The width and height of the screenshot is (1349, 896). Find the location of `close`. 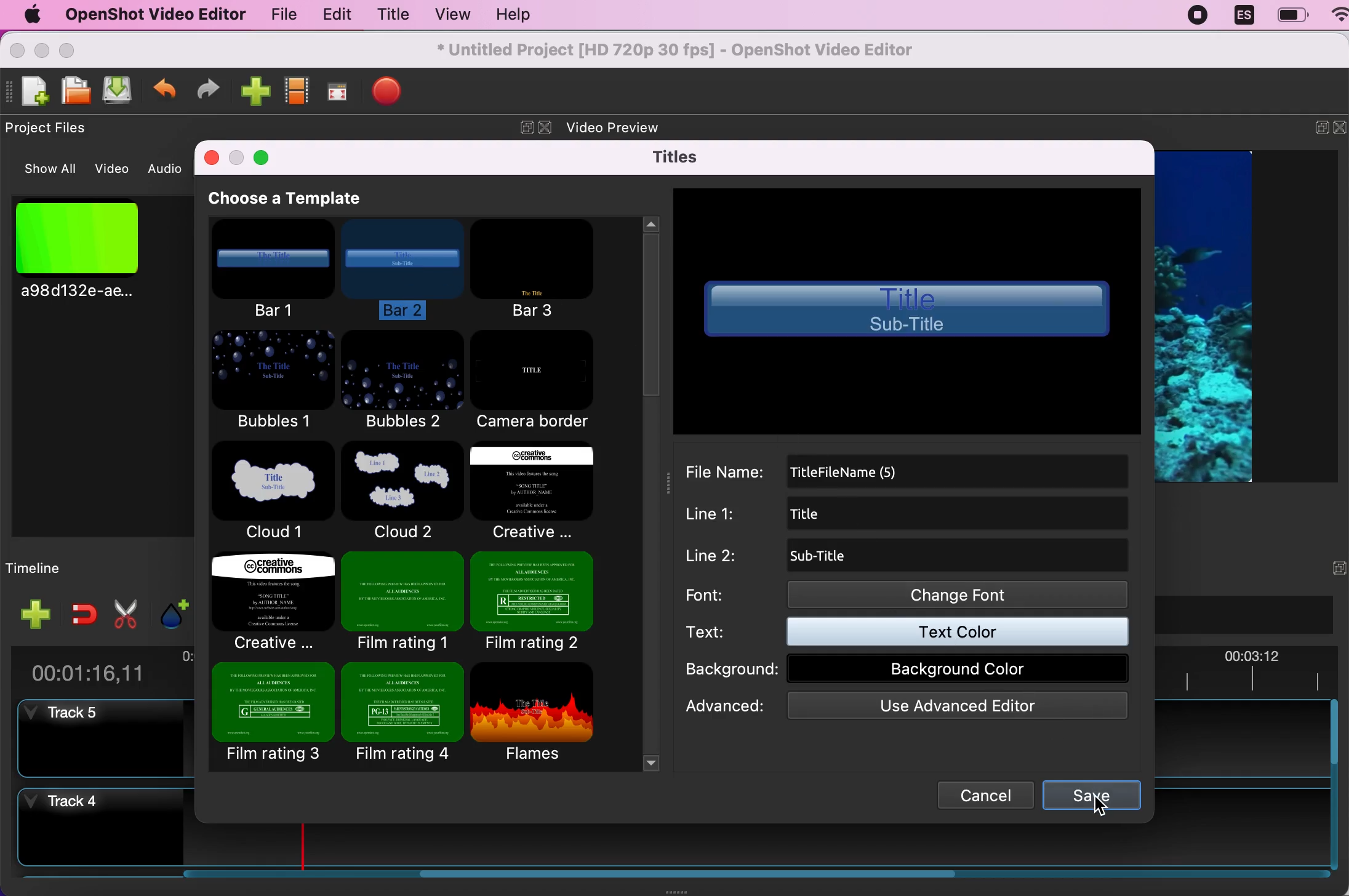

close is located at coordinates (1340, 130).